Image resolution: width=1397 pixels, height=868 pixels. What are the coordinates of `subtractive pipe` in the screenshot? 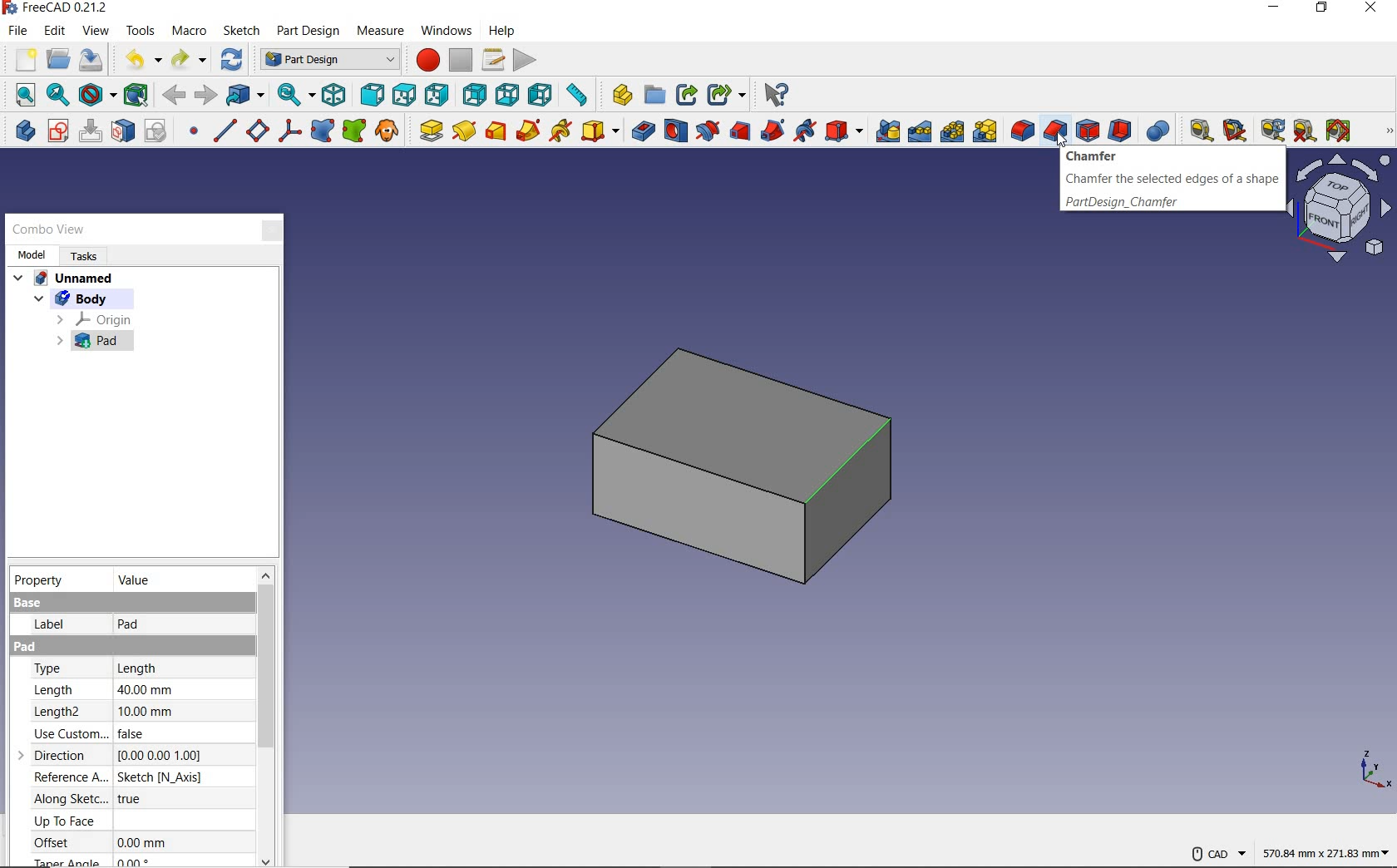 It's located at (774, 131).